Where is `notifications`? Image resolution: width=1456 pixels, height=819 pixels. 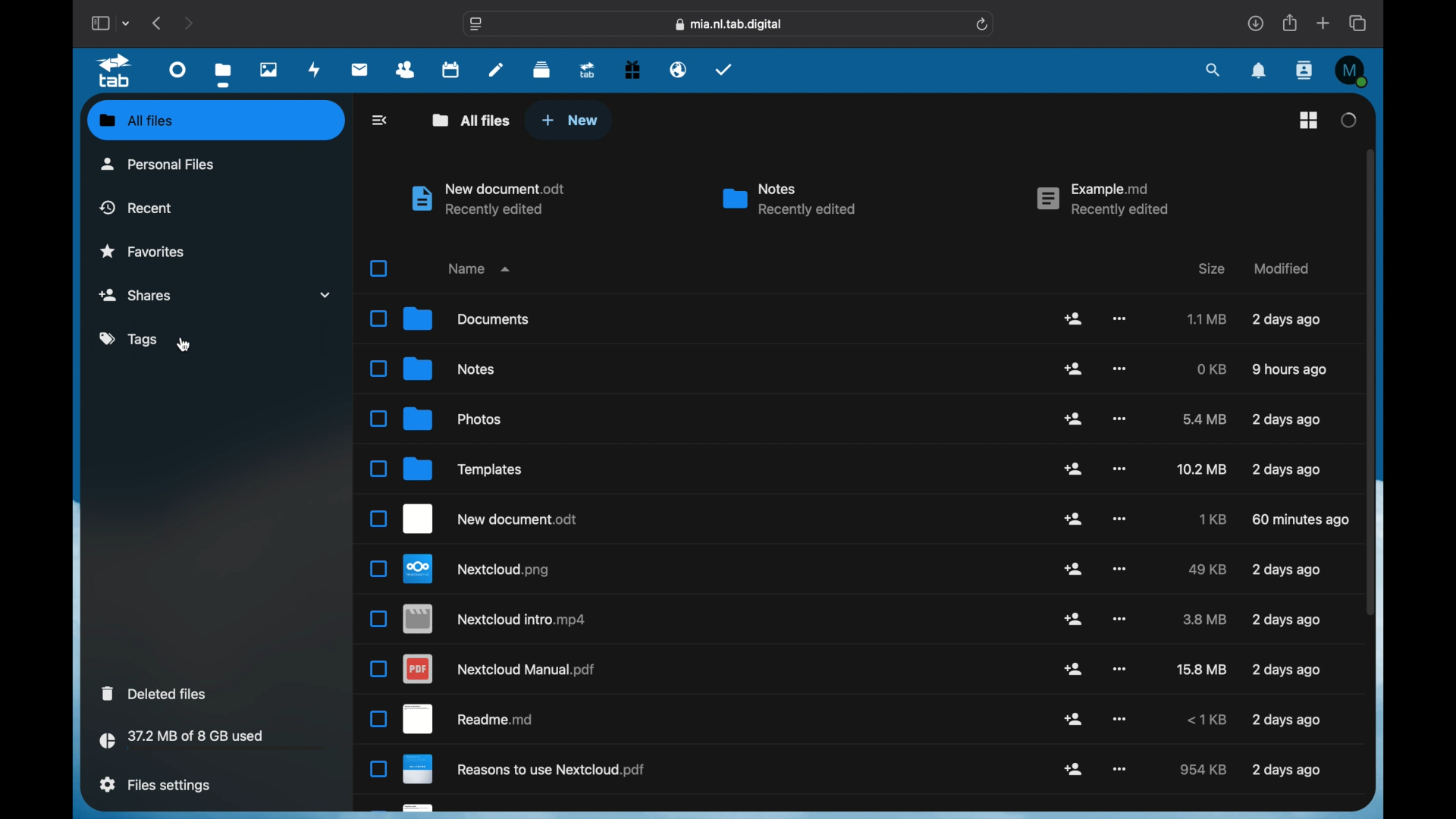
notifications is located at coordinates (1260, 71).